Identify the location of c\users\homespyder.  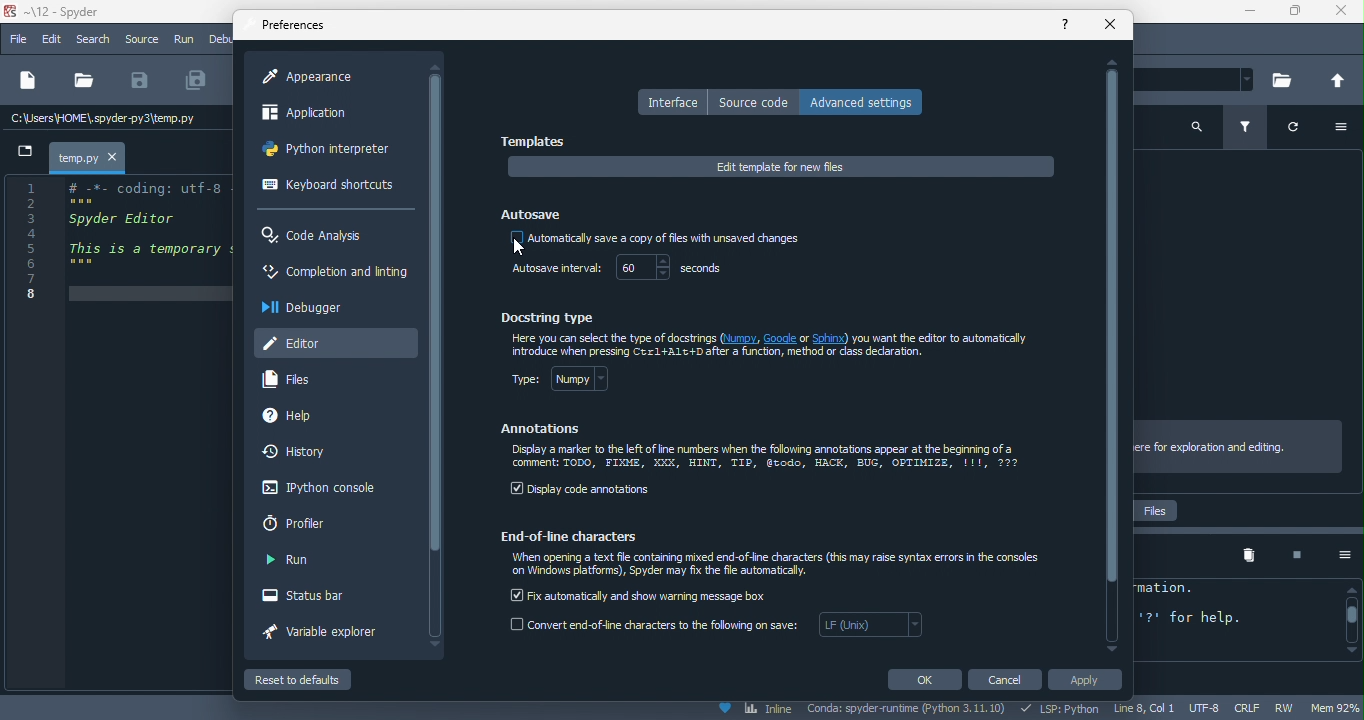
(104, 120).